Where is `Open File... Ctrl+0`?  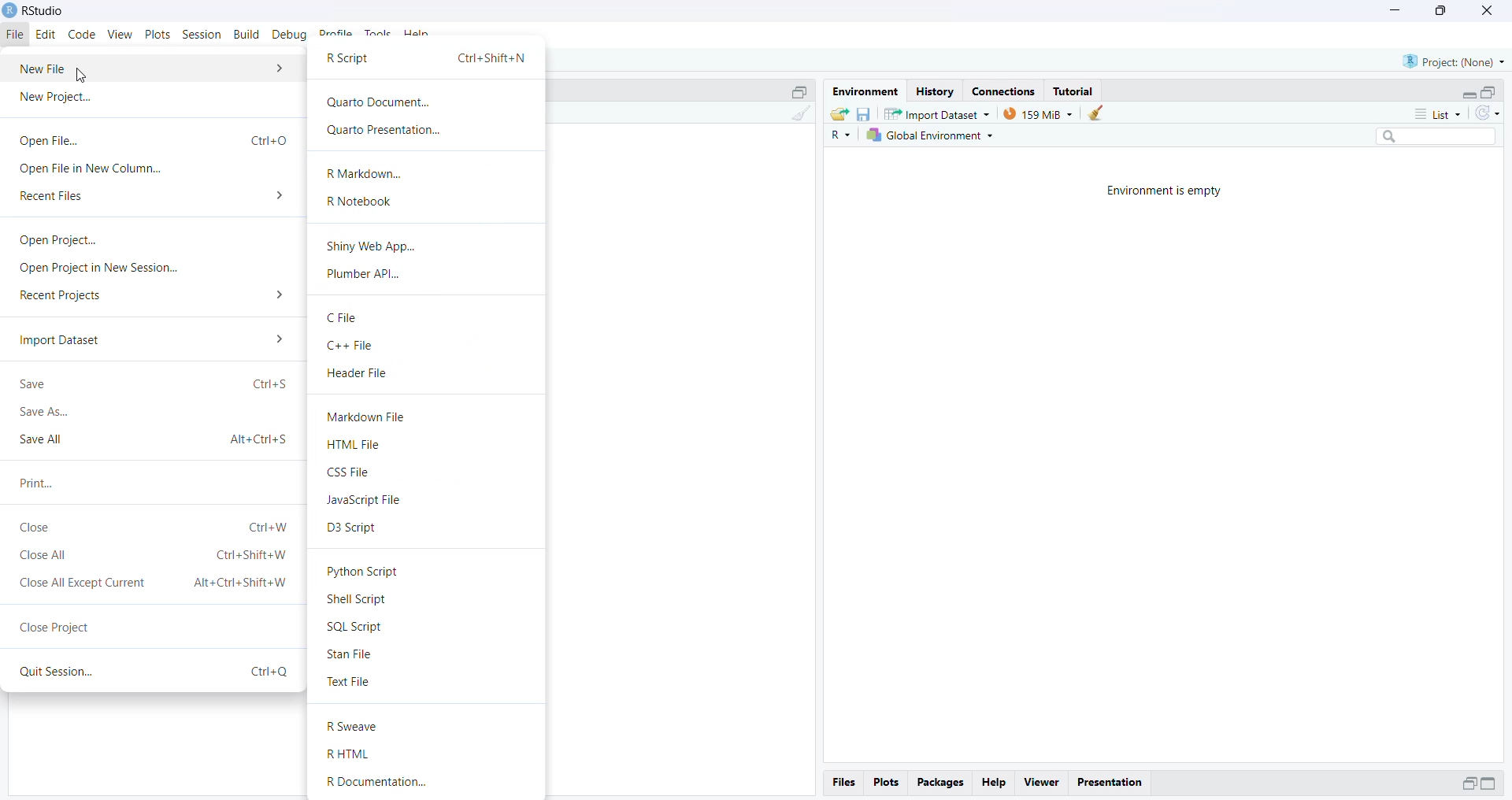 Open File... Ctrl+0 is located at coordinates (152, 139).